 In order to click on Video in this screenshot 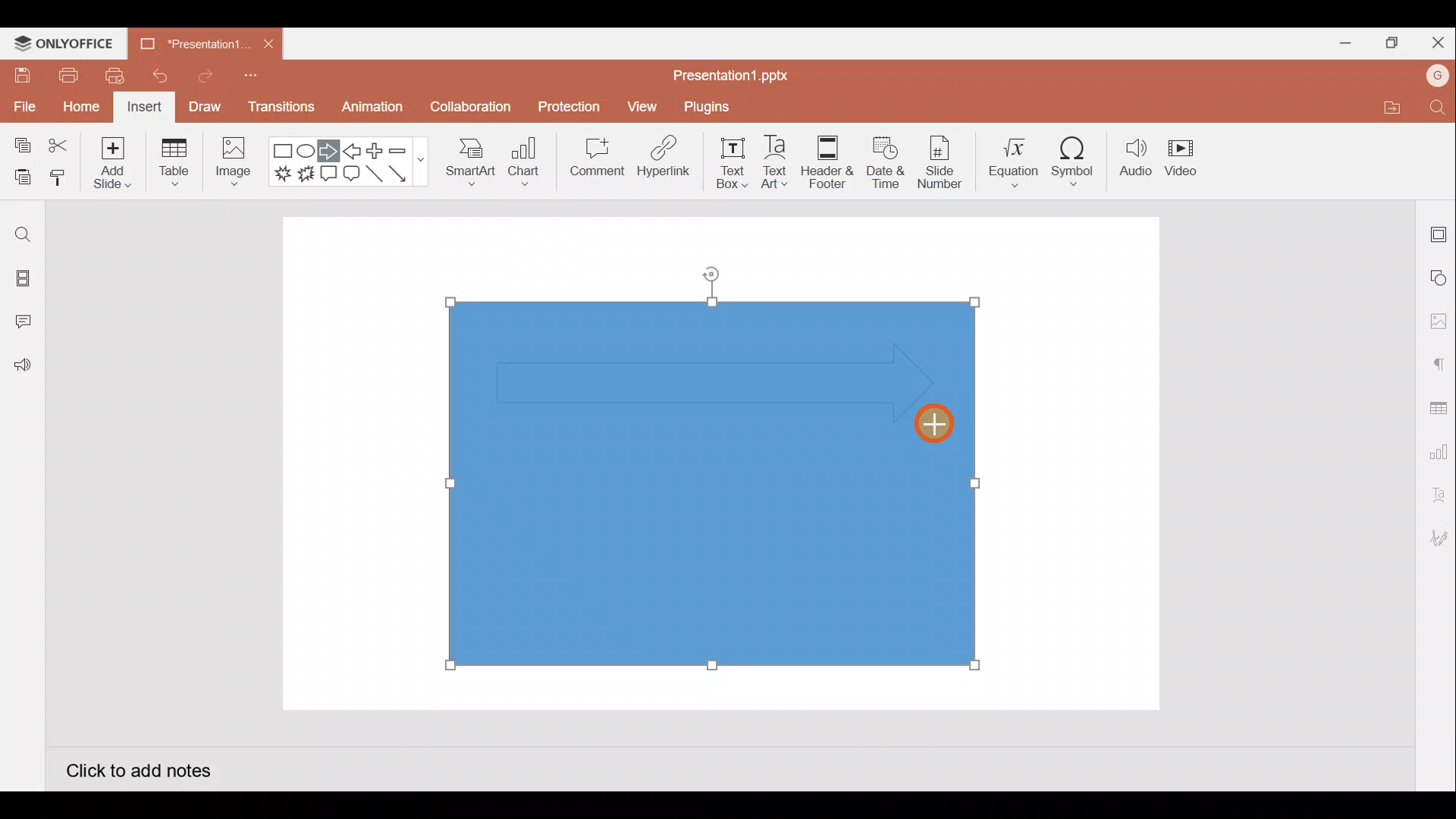, I will do `click(1183, 155)`.